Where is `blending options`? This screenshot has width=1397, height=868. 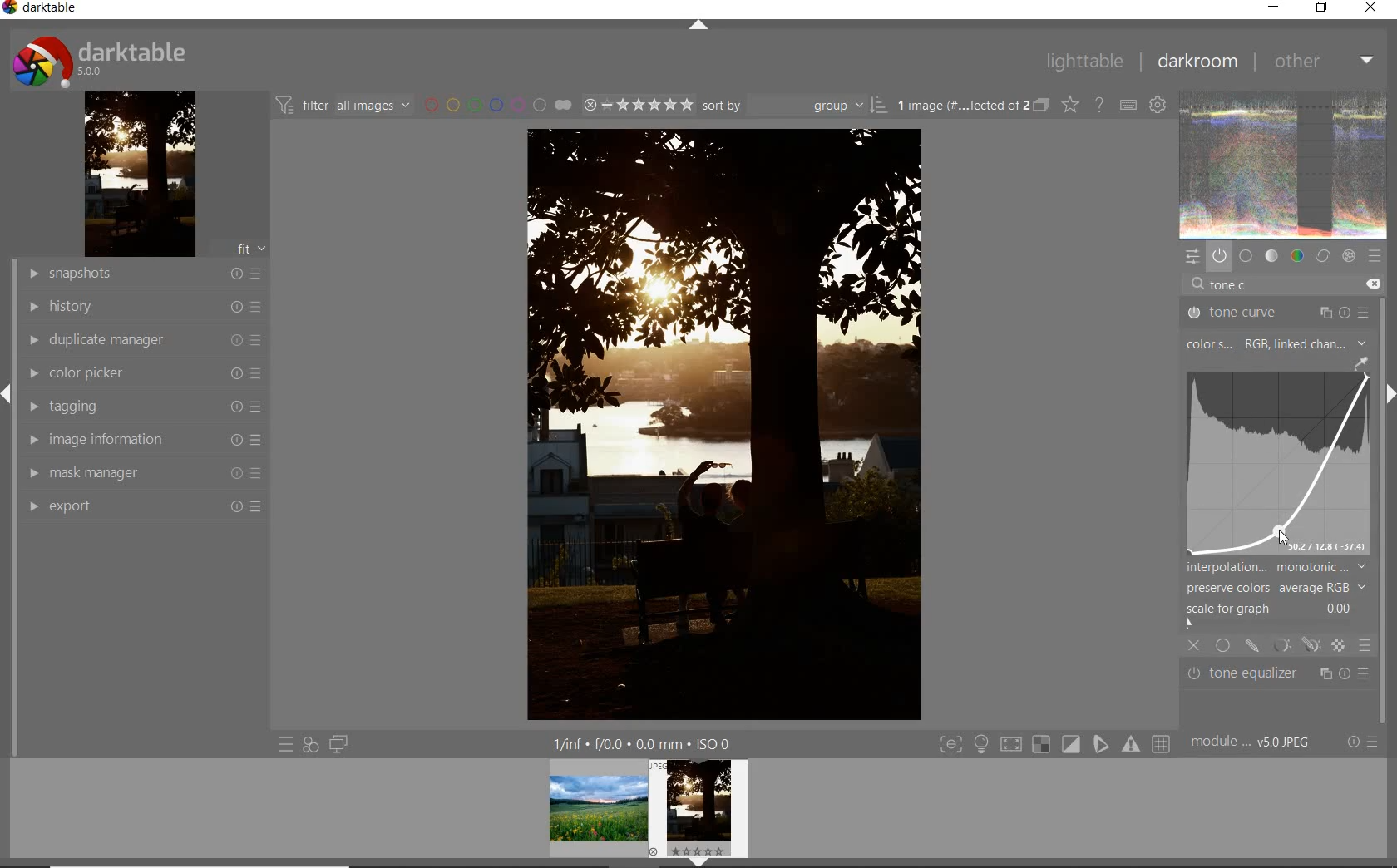
blending options is located at coordinates (1365, 644).